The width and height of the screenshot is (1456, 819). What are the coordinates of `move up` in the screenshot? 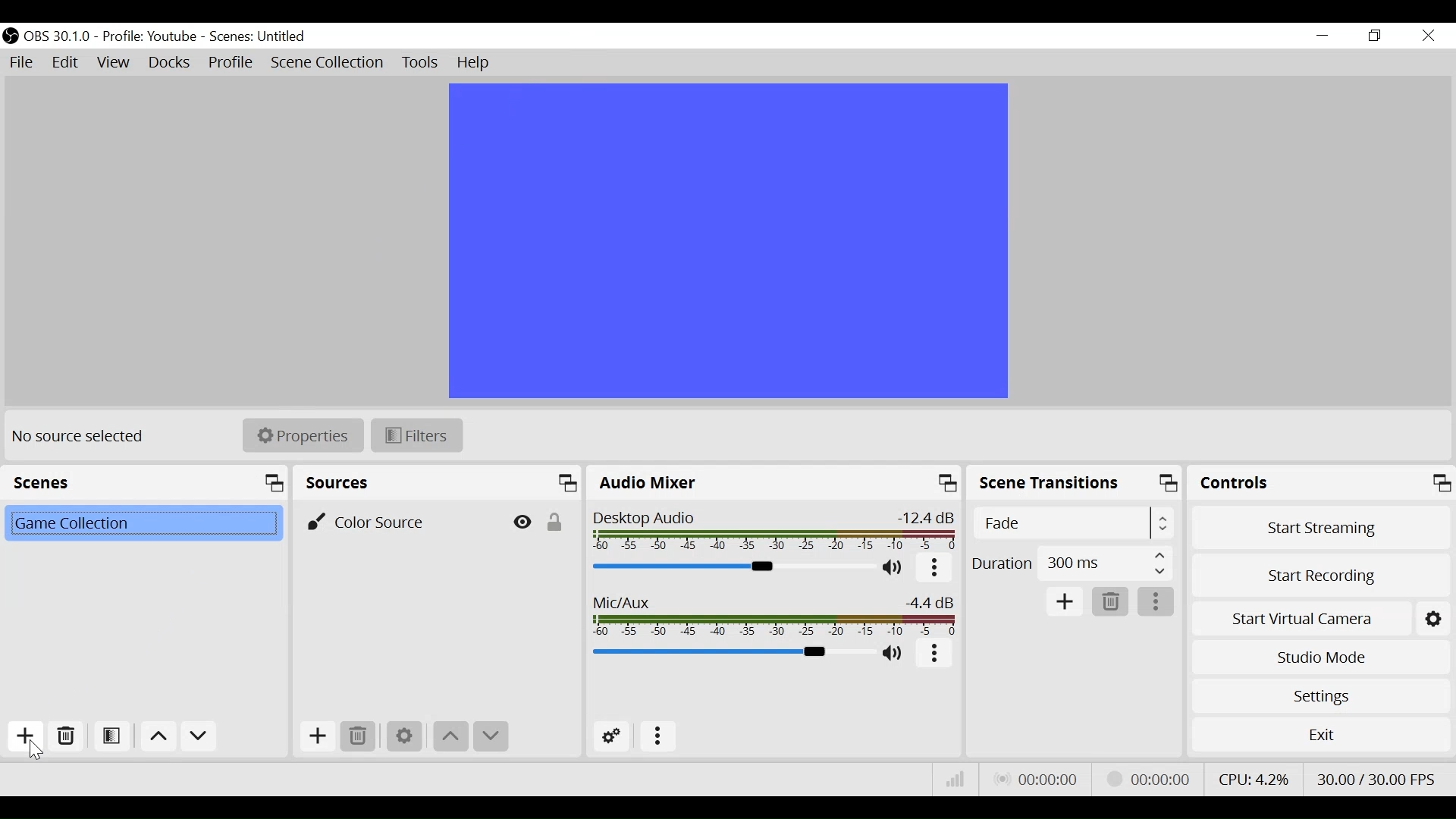 It's located at (449, 737).